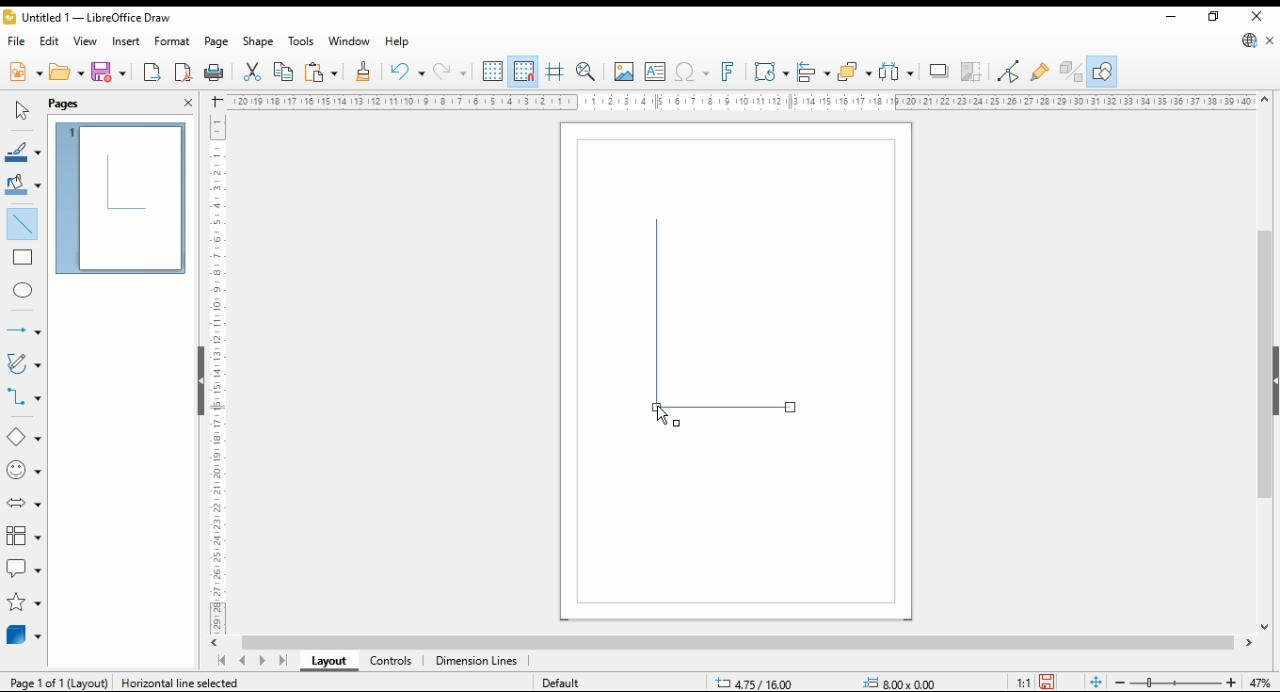  Describe the element at coordinates (1040, 71) in the screenshot. I see `show gluepoint functions` at that location.